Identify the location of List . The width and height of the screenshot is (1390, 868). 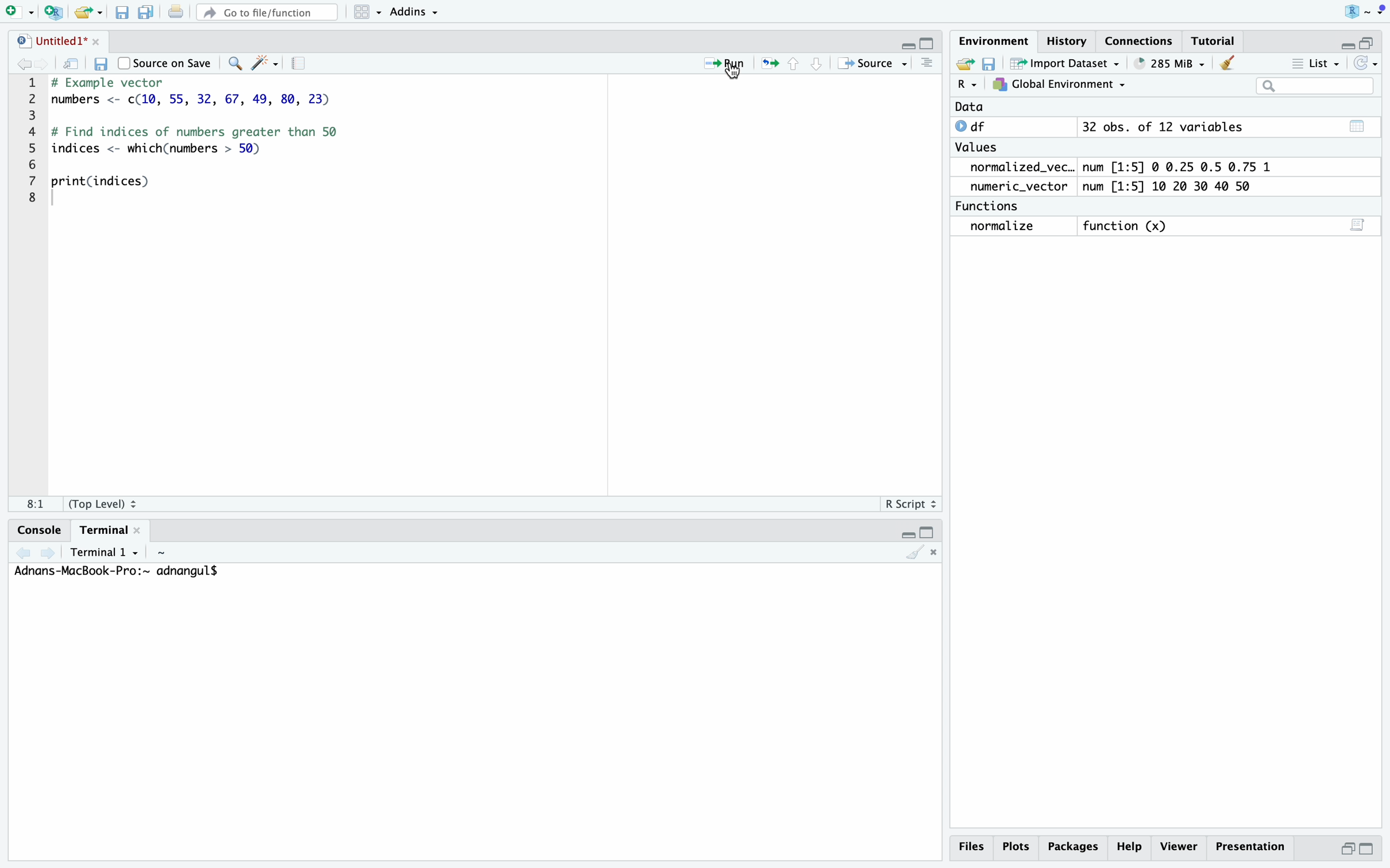
(1317, 63).